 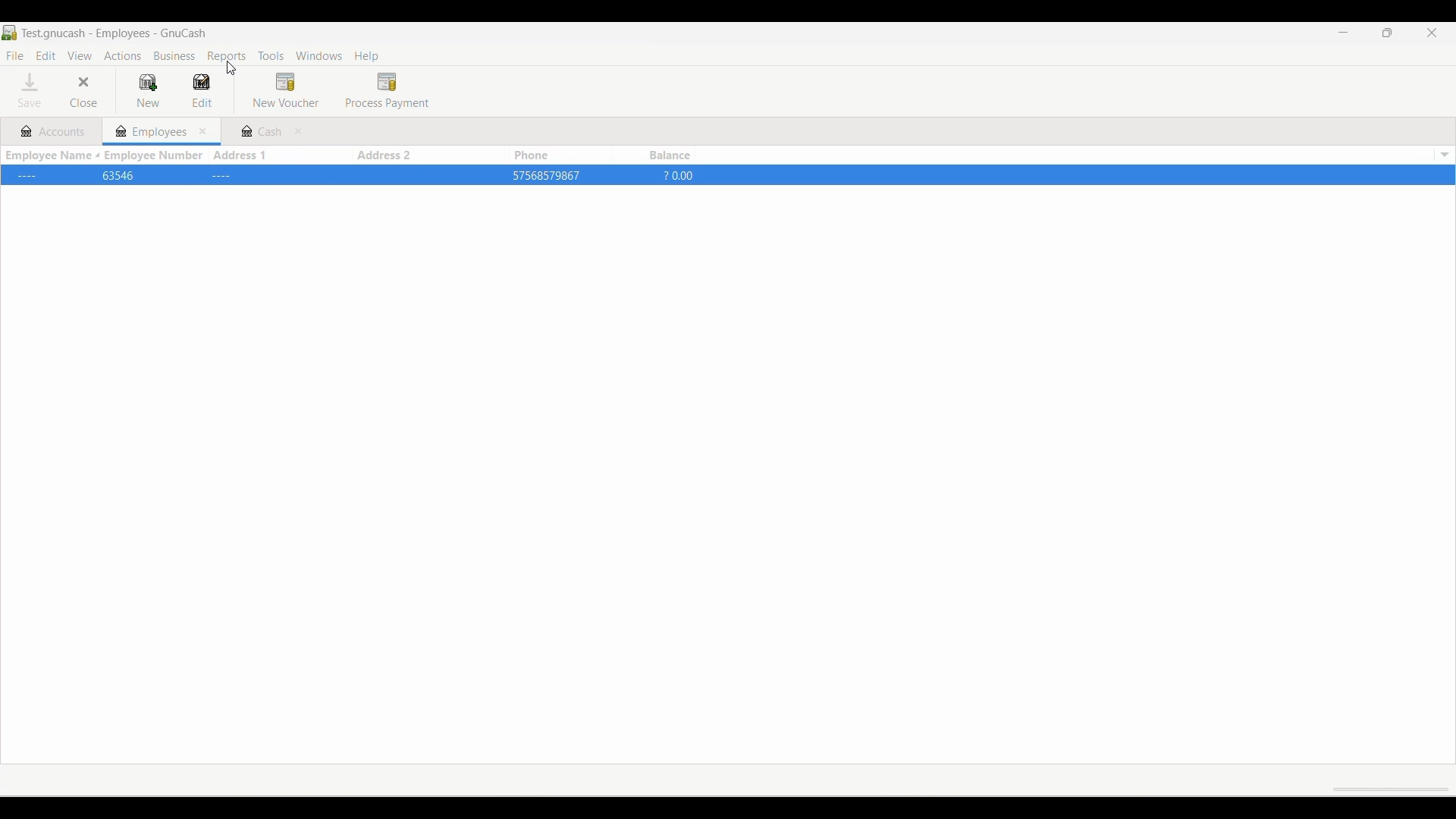 What do you see at coordinates (30, 89) in the screenshot?
I see `Save` at bounding box center [30, 89].